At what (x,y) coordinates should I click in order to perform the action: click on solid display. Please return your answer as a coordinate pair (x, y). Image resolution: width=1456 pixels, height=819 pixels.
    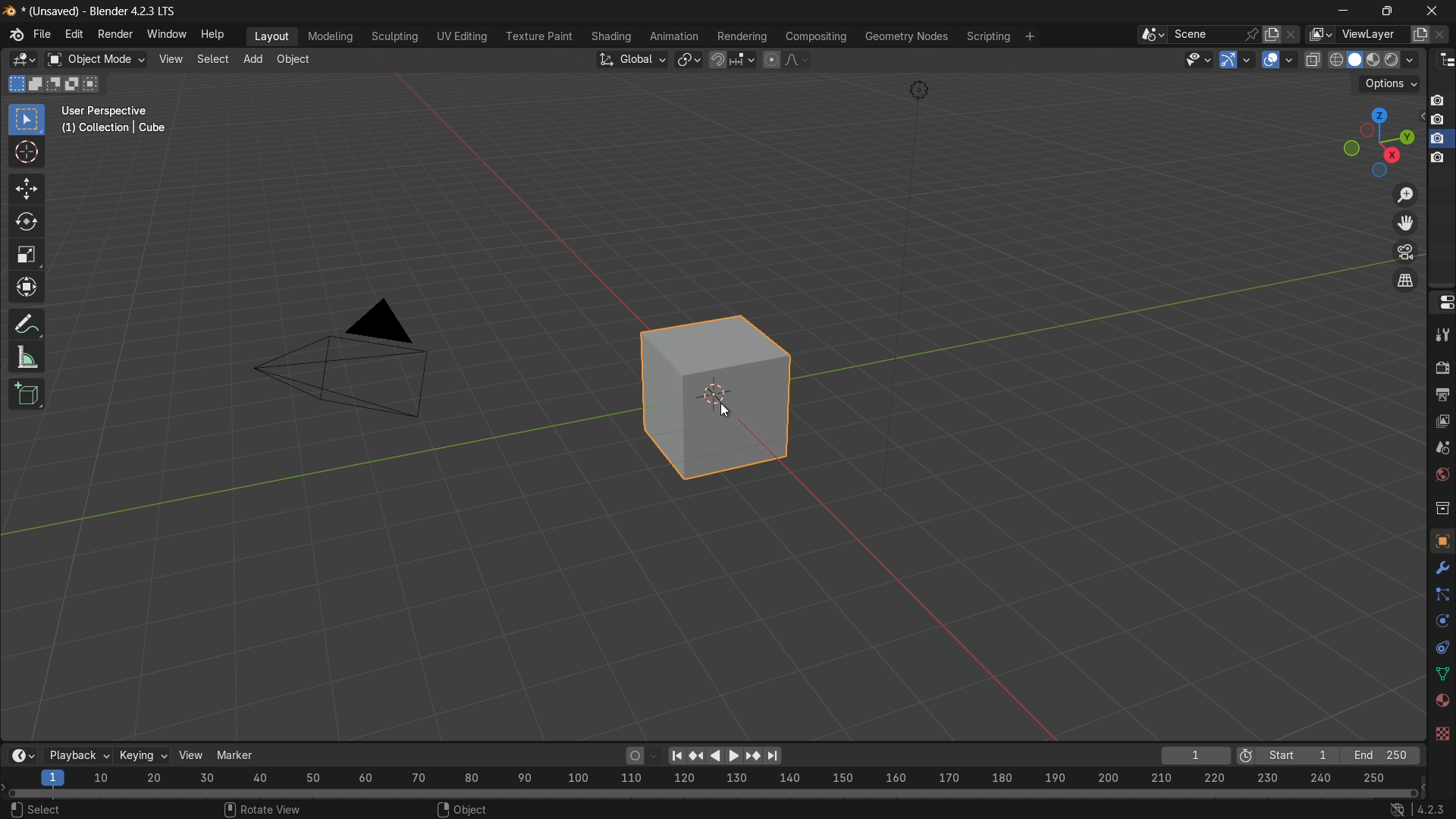
    Looking at the image, I should click on (1355, 59).